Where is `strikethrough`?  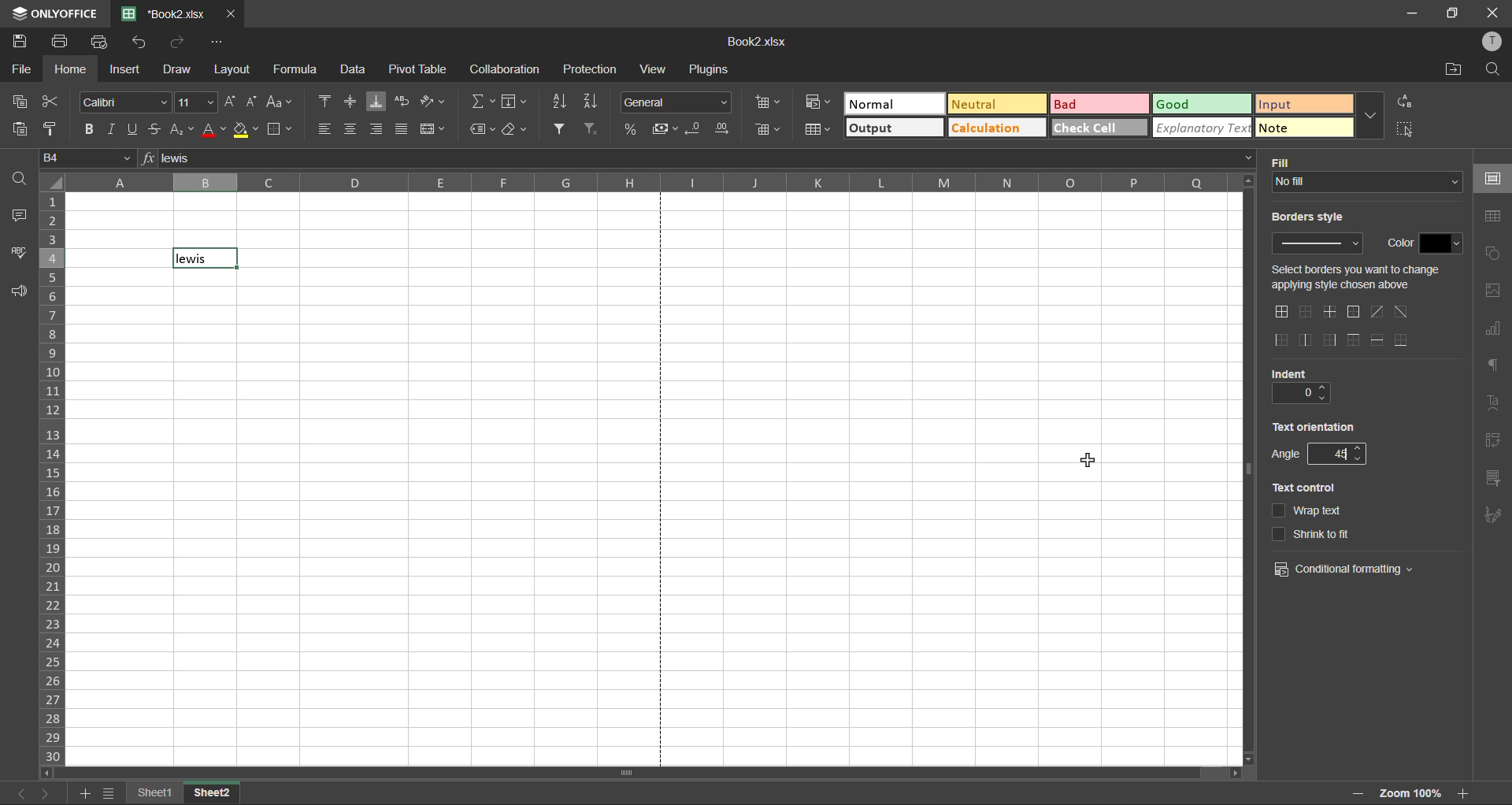 strikethrough is located at coordinates (154, 131).